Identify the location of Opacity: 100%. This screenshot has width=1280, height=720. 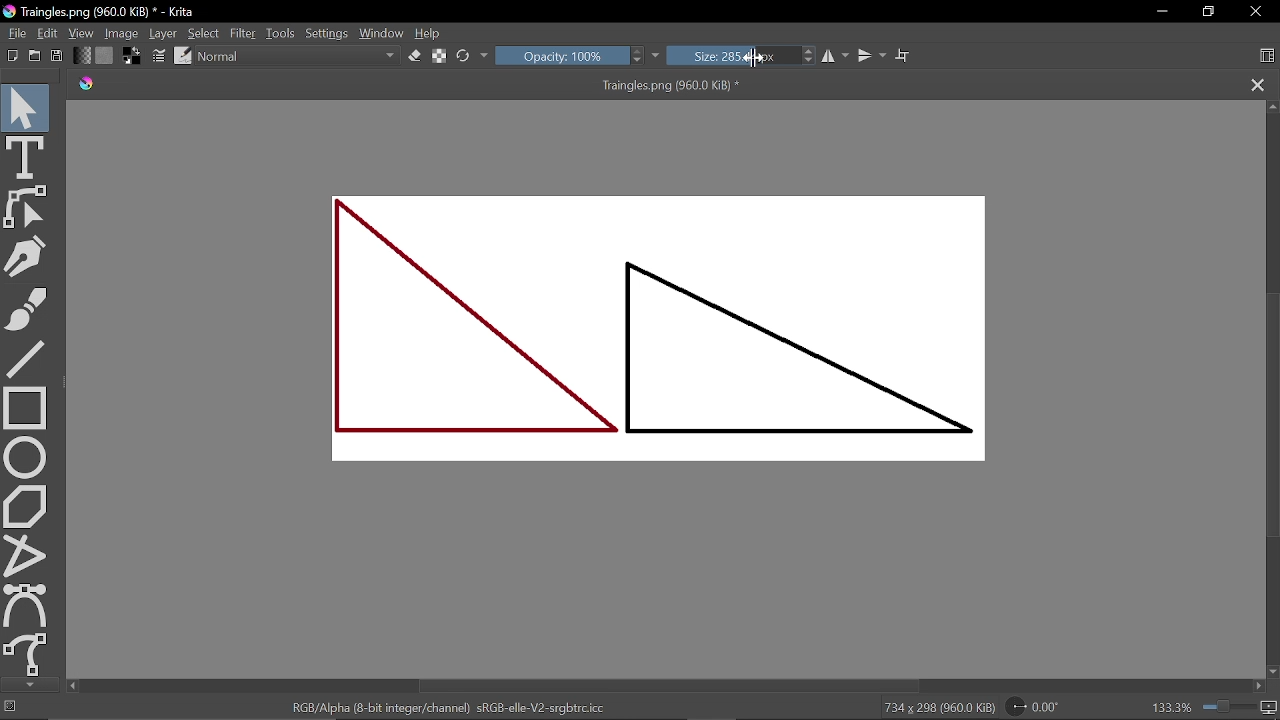
(570, 56).